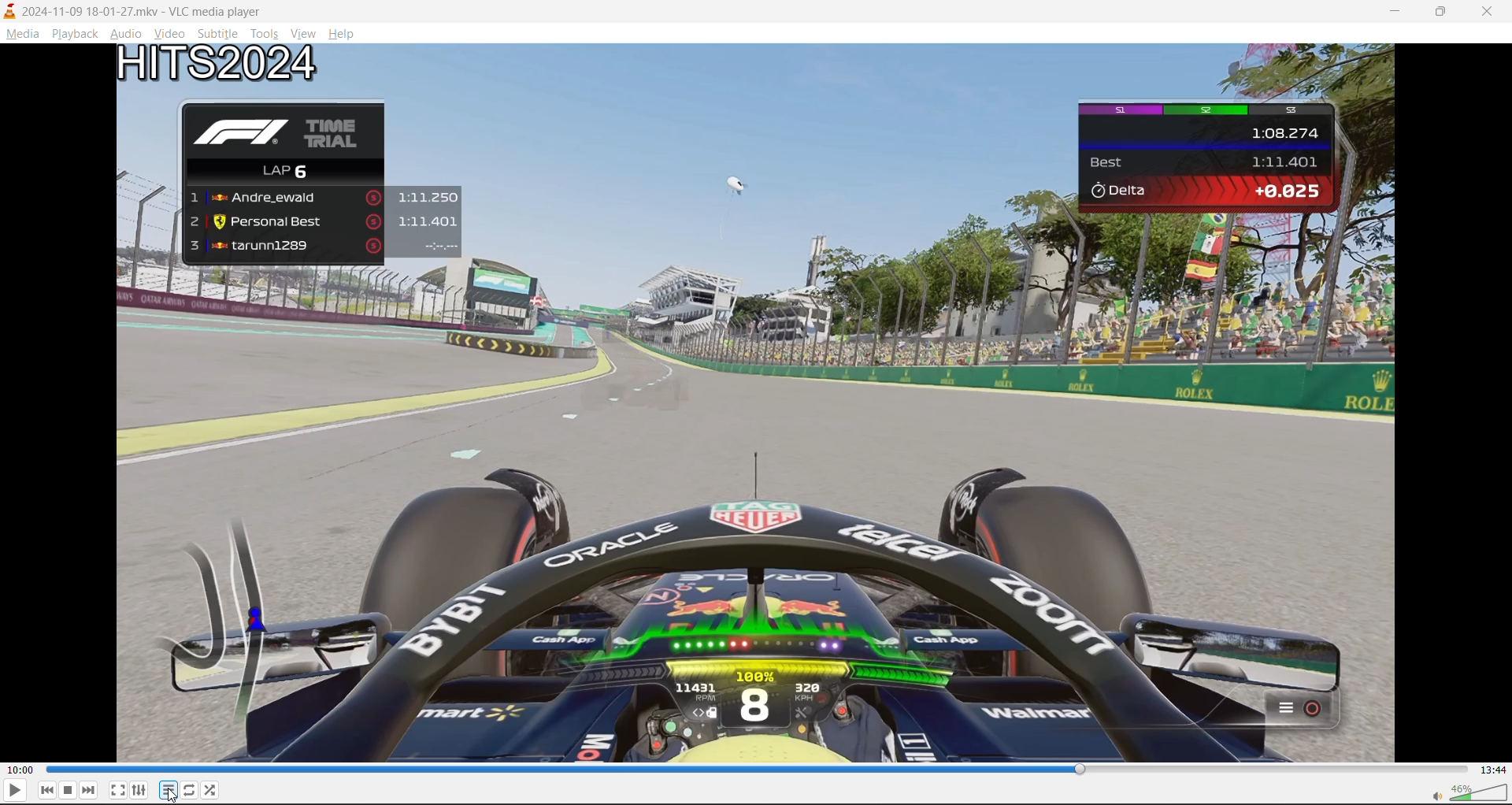 The width and height of the screenshot is (1512, 805). Describe the element at coordinates (1441, 16) in the screenshot. I see `maximize` at that location.